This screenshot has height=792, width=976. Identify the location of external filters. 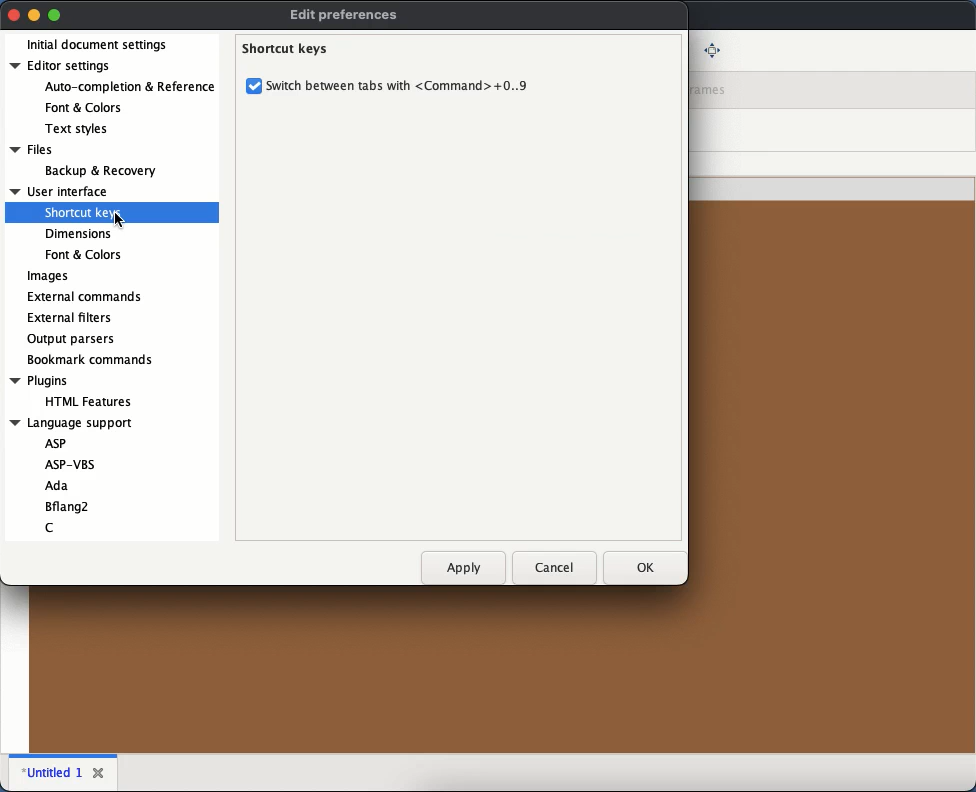
(69, 316).